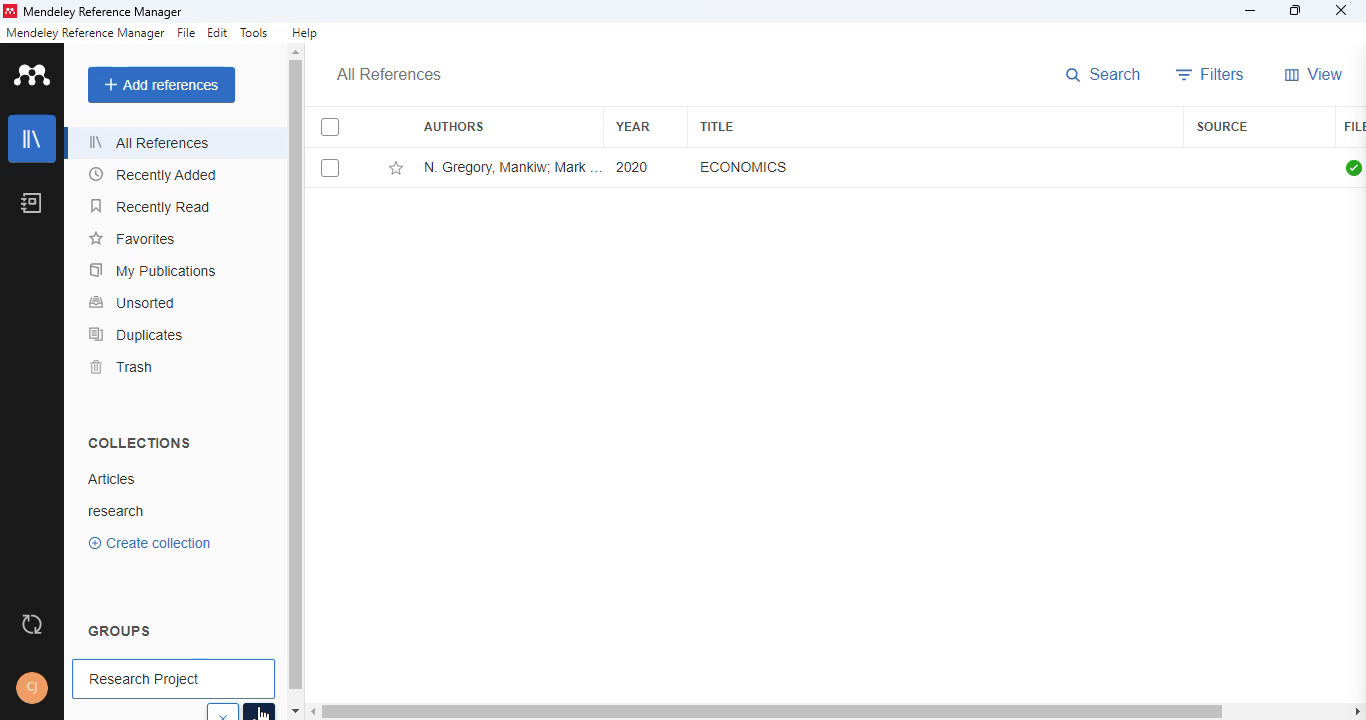 The width and height of the screenshot is (1366, 720). What do you see at coordinates (1297, 10) in the screenshot?
I see `maximize` at bounding box center [1297, 10].